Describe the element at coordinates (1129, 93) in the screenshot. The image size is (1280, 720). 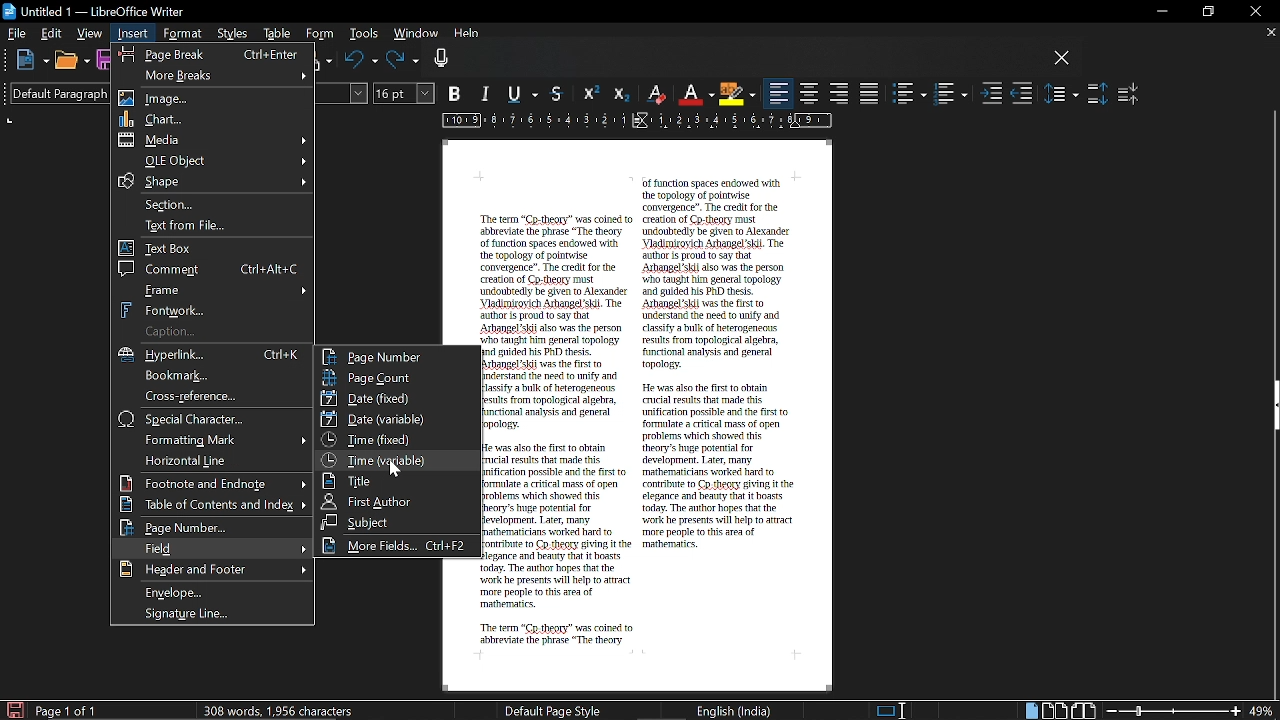
I see `Decrease paragraph spacing` at that location.